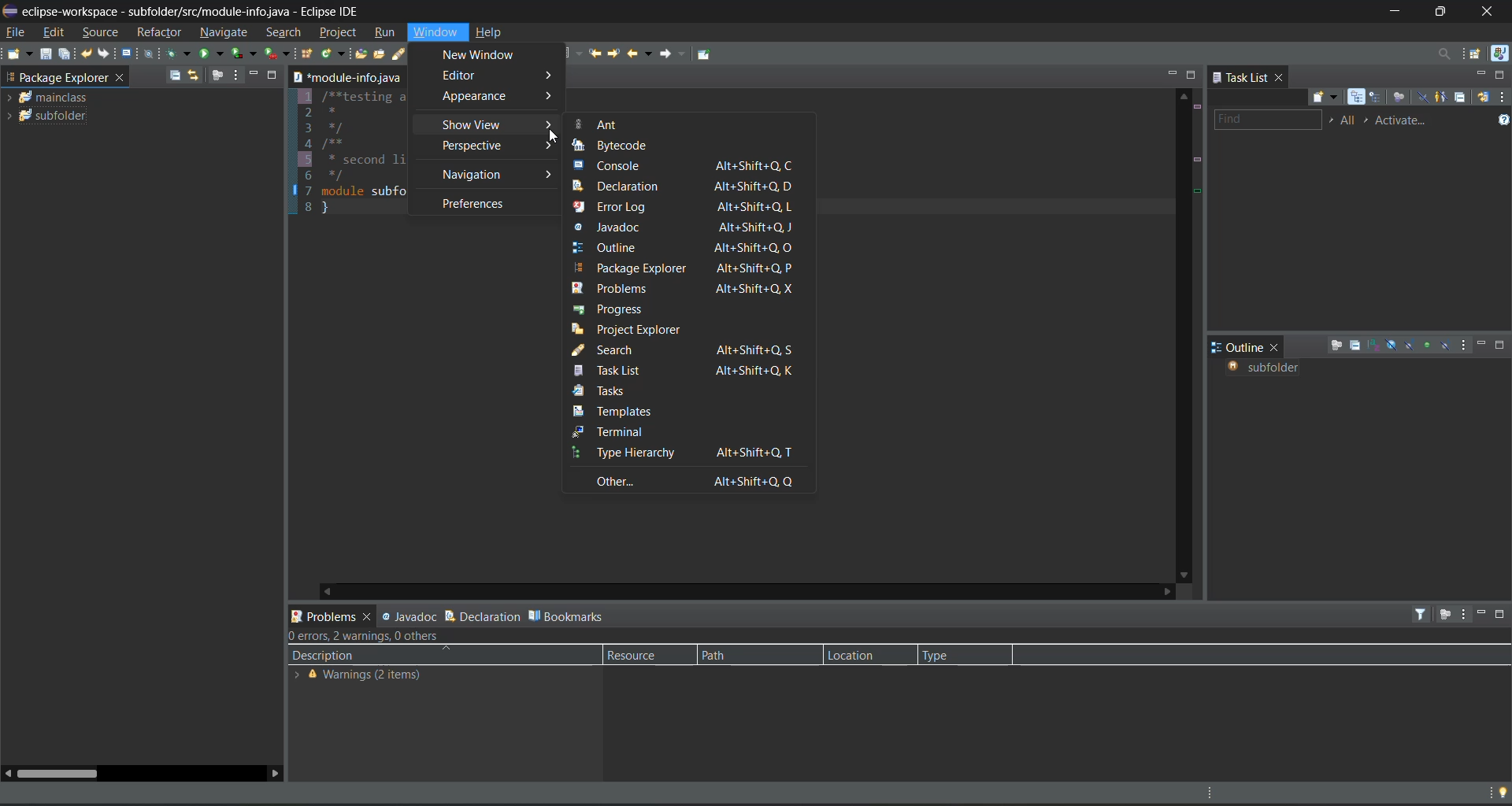 The height and width of the screenshot is (806, 1512). I want to click on declaration, so click(482, 616).